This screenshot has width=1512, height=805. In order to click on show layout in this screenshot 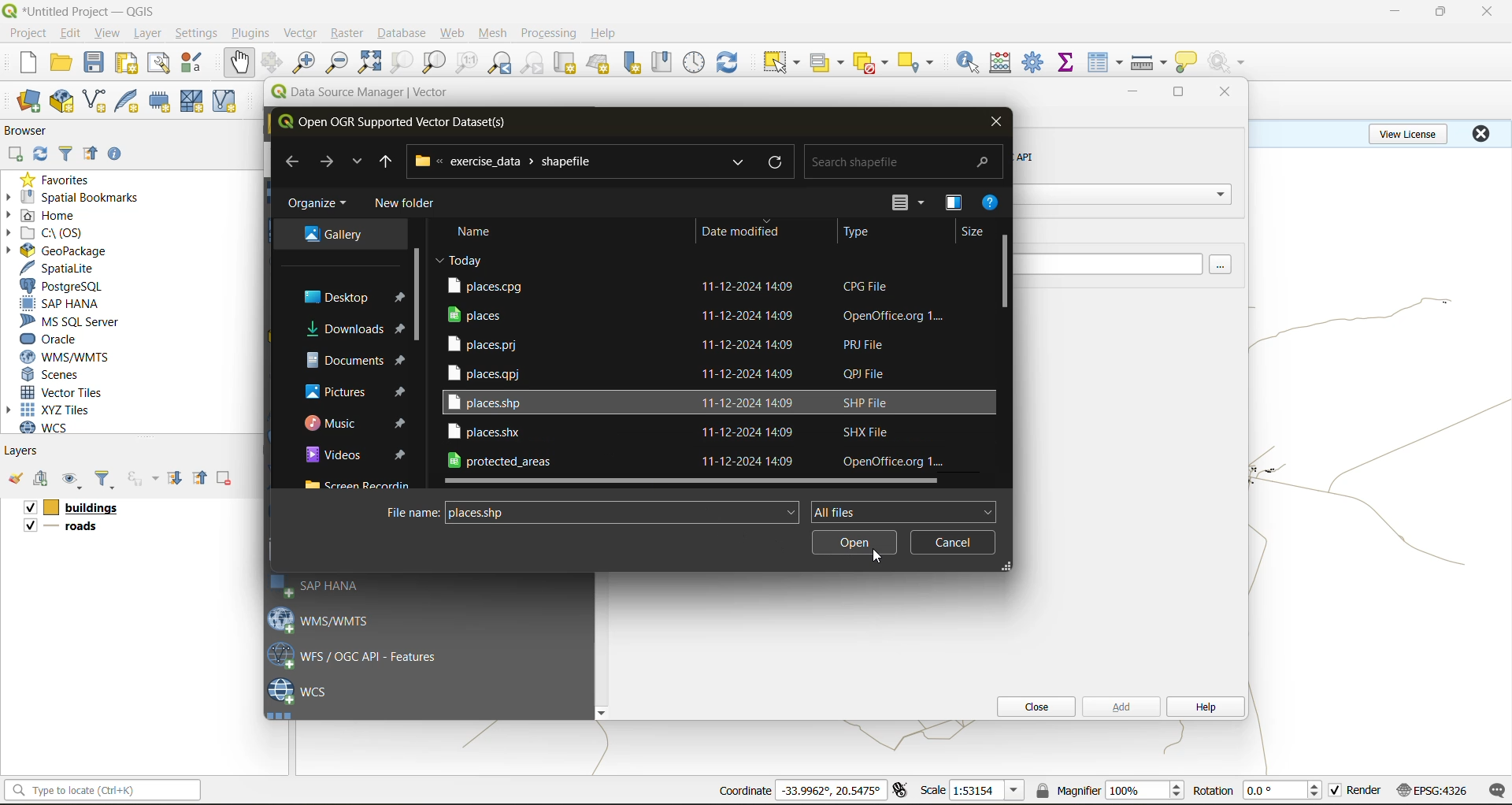, I will do `click(159, 63)`.